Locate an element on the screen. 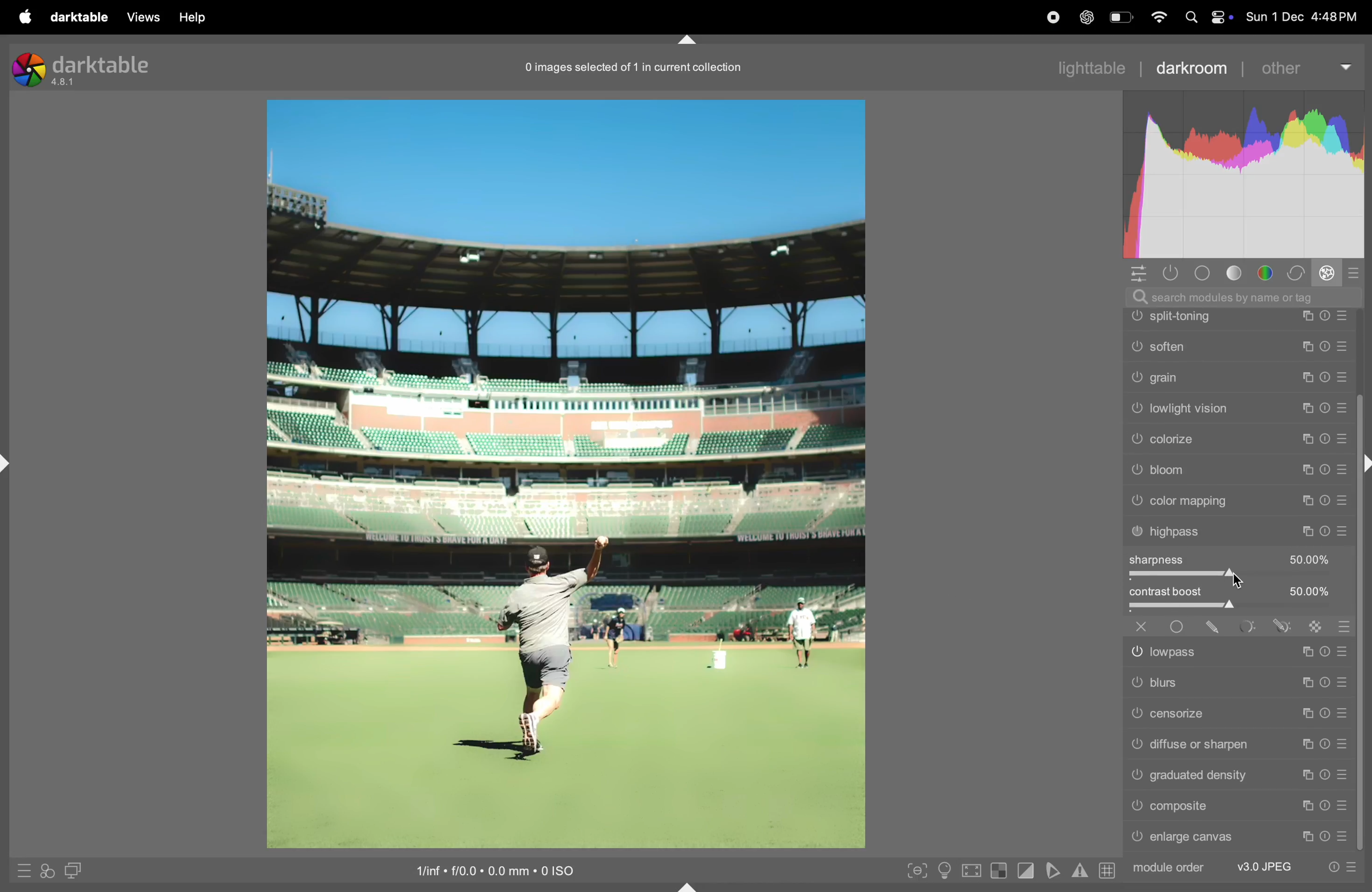 This screenshot has width=1372, height=892. color mapping is located at coordinates (1238, 589).